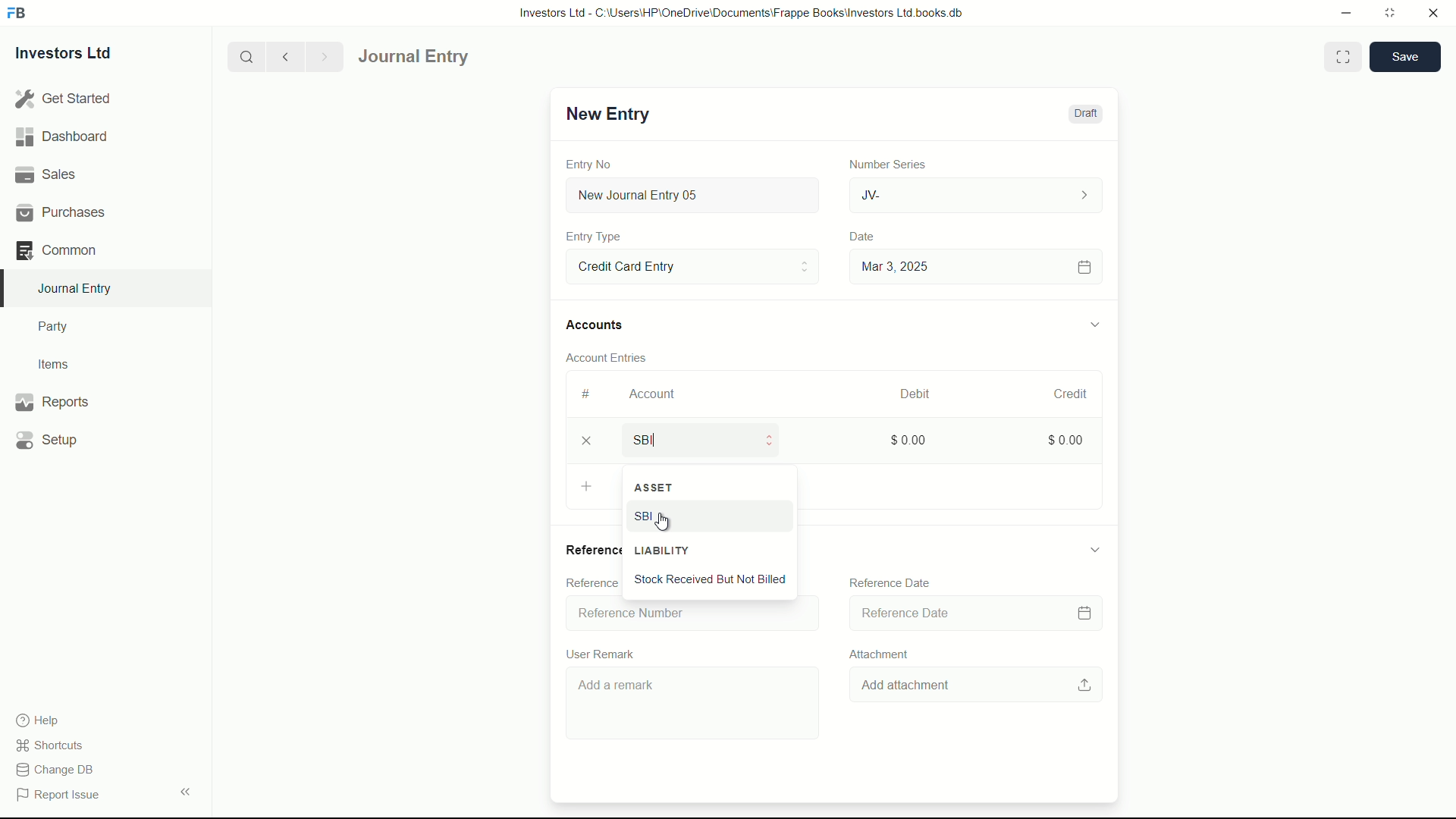 The width and height of the screenshot is (1456, 819). I want to click on Investors Ltd, so click(77, 55).